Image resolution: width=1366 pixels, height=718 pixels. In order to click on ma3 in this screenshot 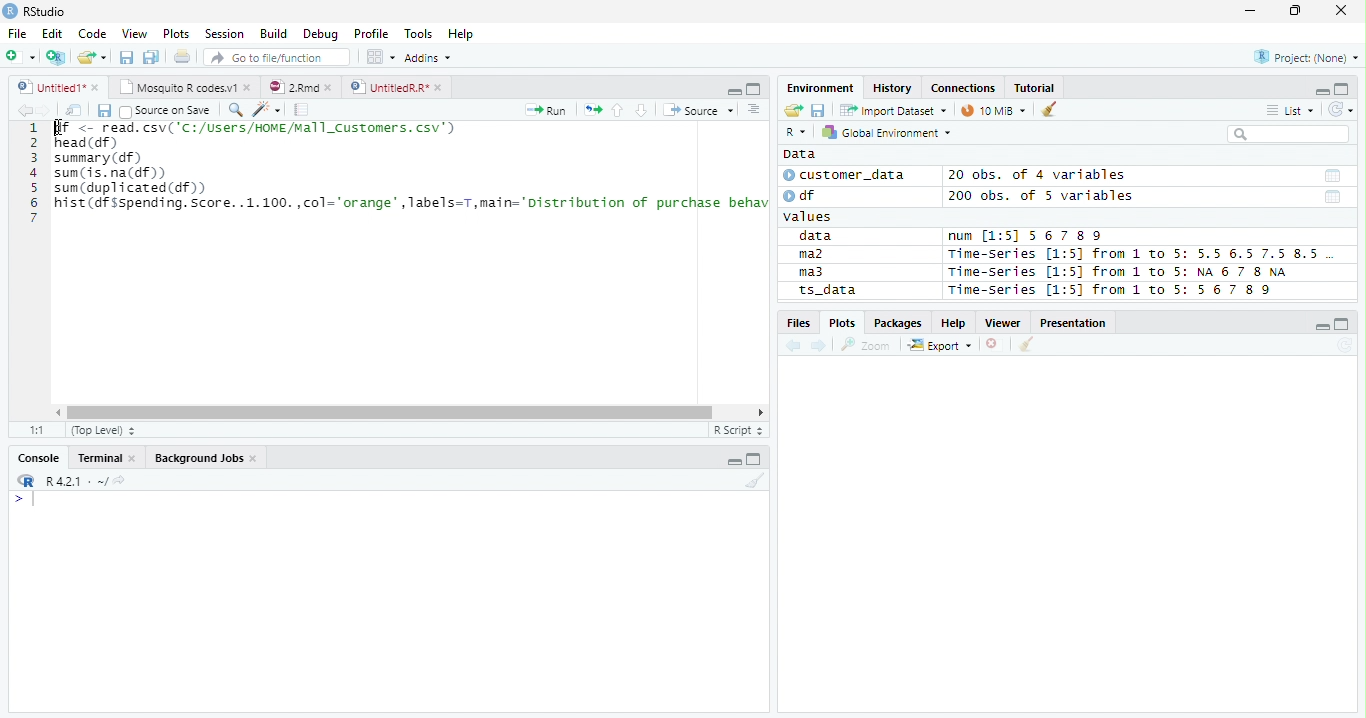, I will do `click(816, 272)`.